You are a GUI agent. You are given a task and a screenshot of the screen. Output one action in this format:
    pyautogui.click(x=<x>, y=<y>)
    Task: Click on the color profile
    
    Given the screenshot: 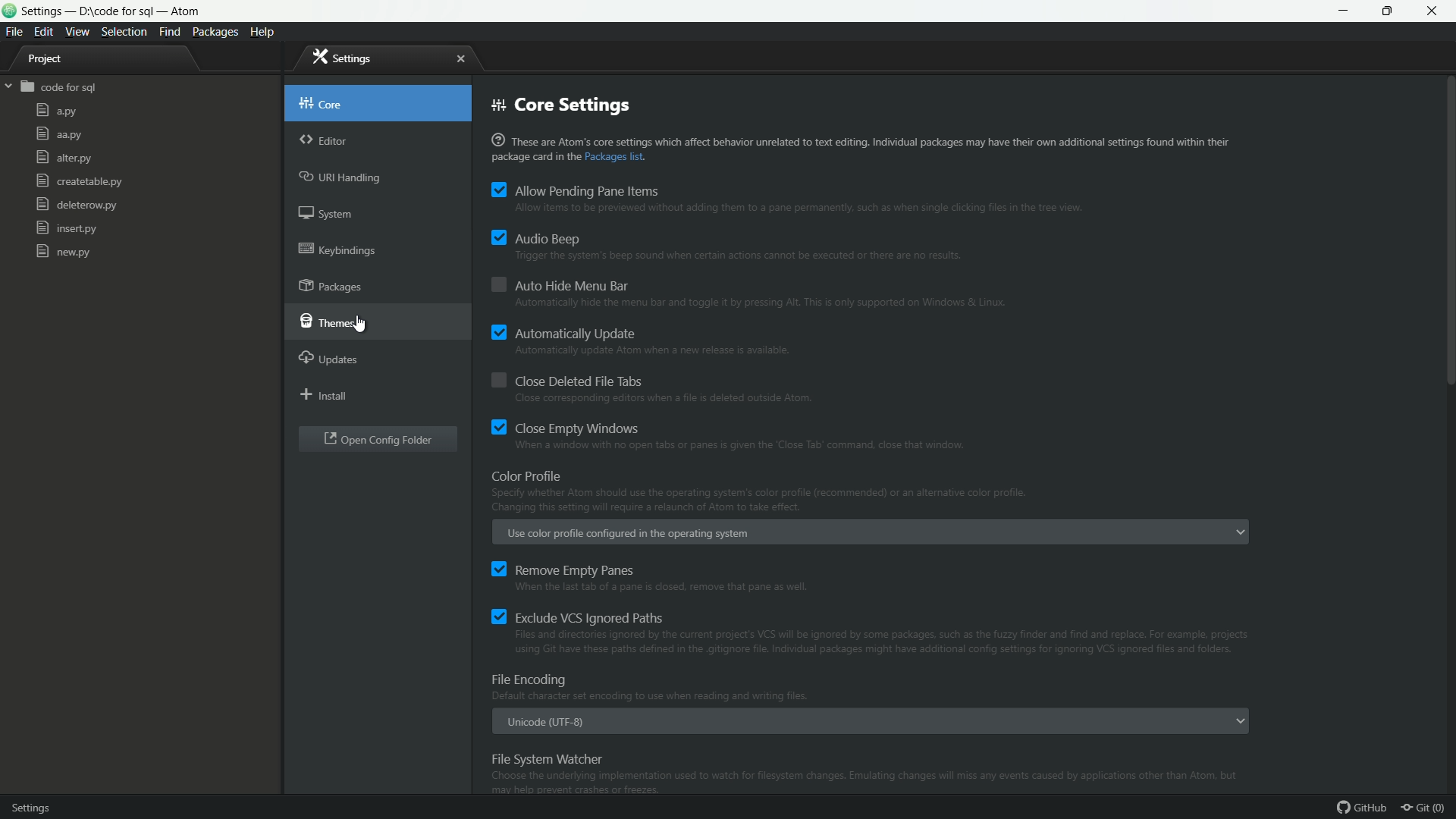 What is the action you would take?
    pyautogui.click(x=529, y=475)
    